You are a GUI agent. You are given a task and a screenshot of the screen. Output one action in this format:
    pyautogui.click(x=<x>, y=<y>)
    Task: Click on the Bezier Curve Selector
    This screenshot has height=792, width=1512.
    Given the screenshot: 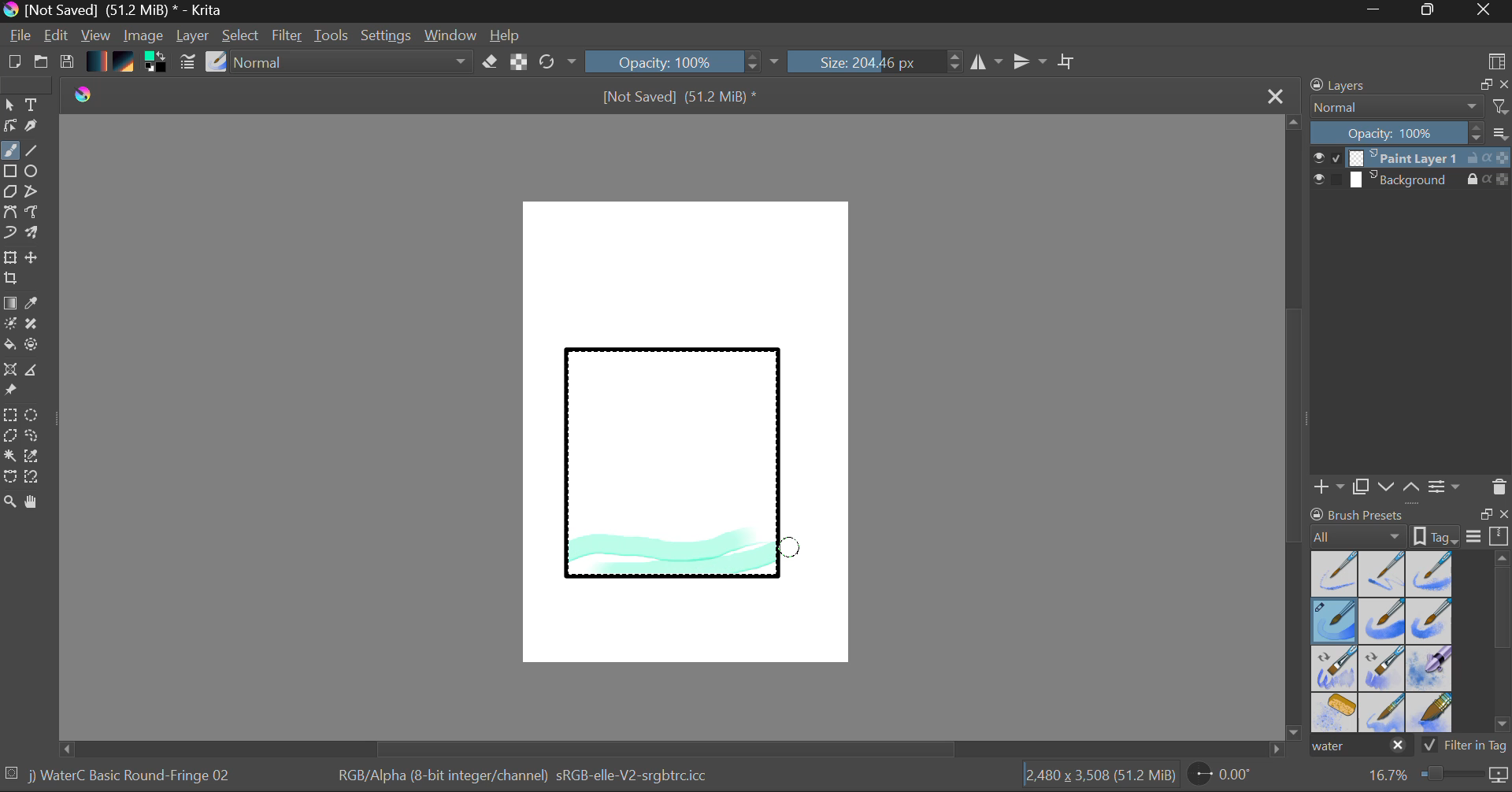 What is the action you would take?
    pyautogui.click(x=9, y=478)
    